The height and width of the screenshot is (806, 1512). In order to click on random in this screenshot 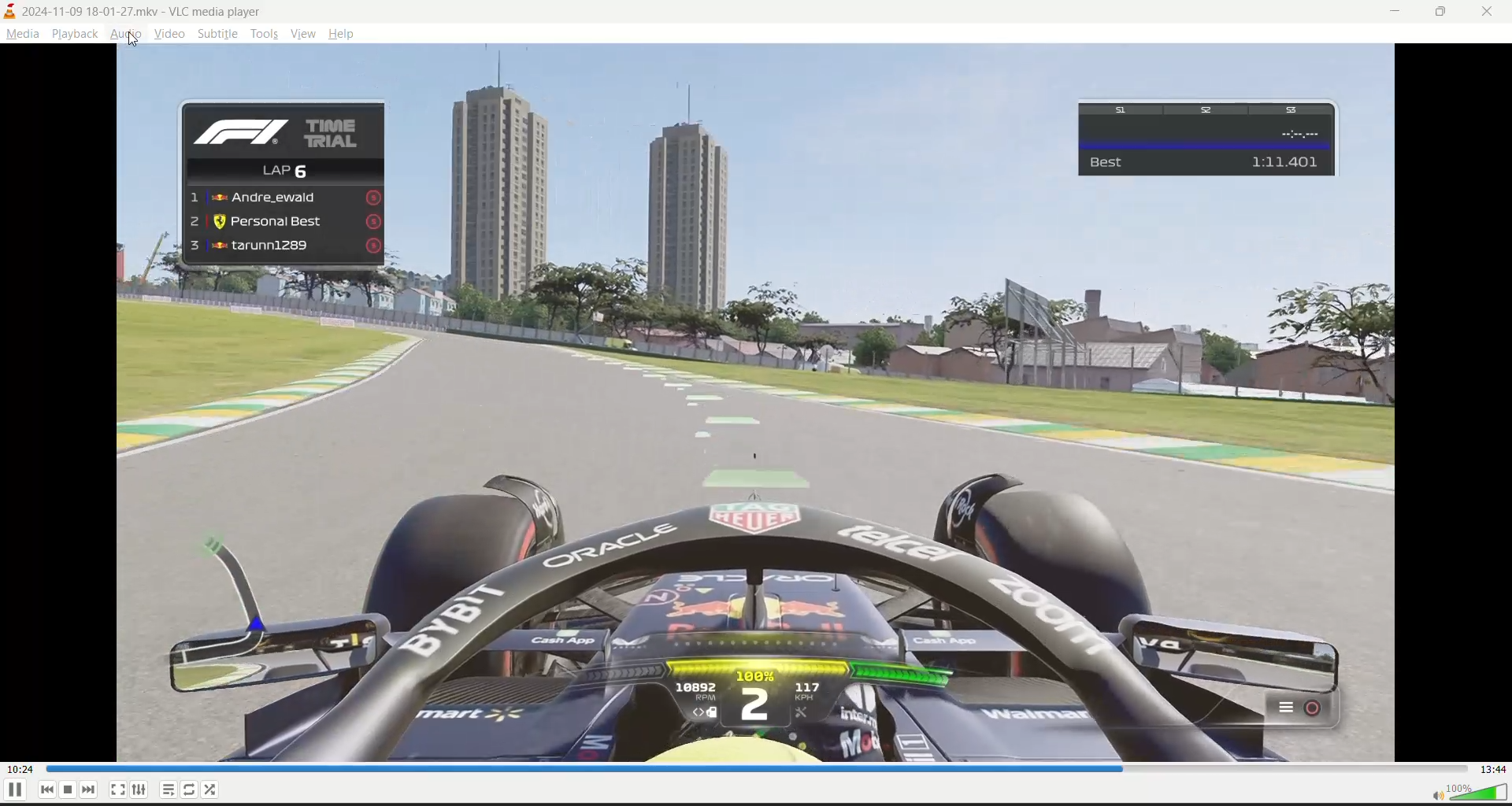, I will do `click(215, 791)`.